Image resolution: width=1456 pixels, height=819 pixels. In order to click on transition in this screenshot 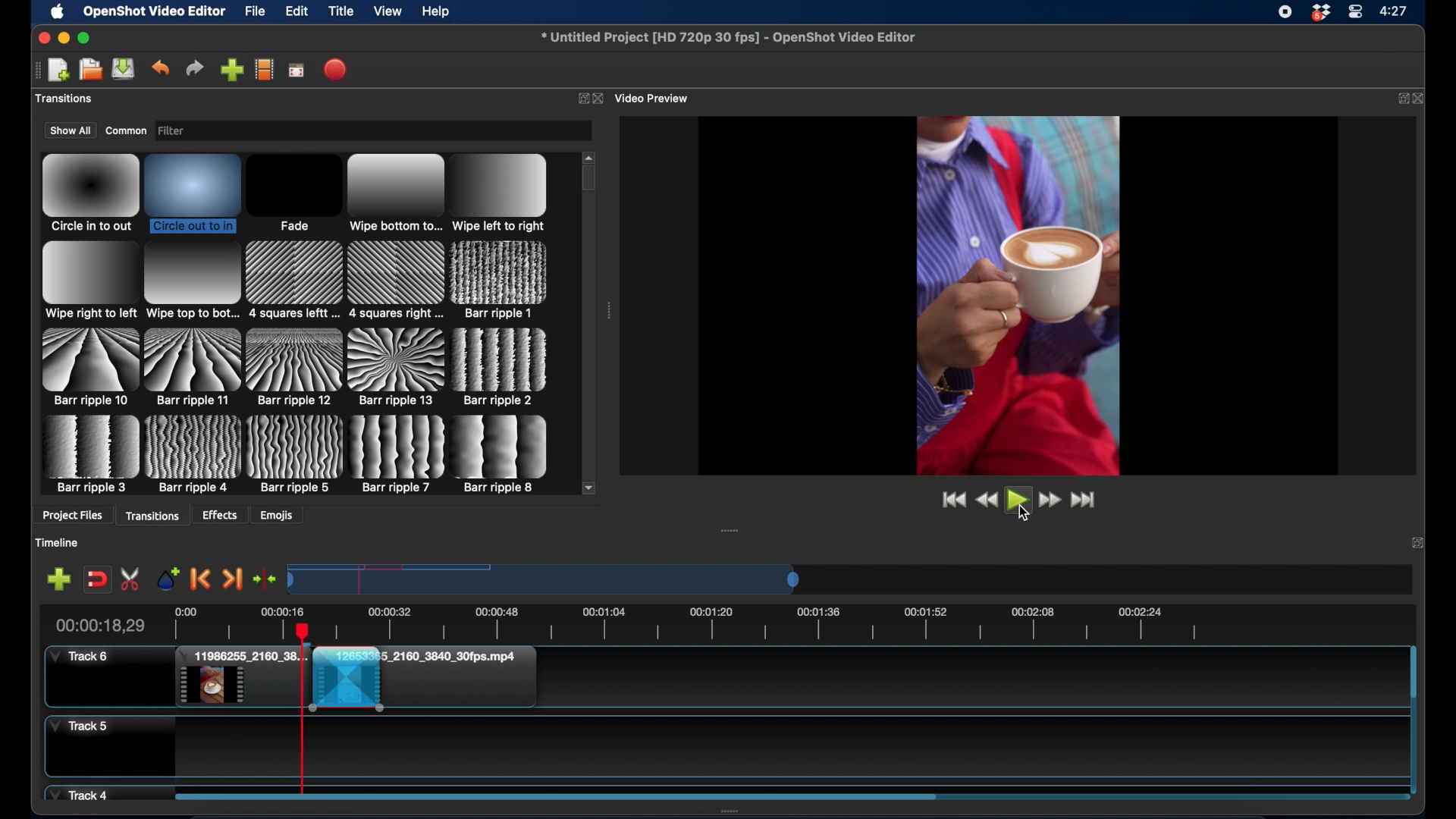, I will do `click(500, 367)`.